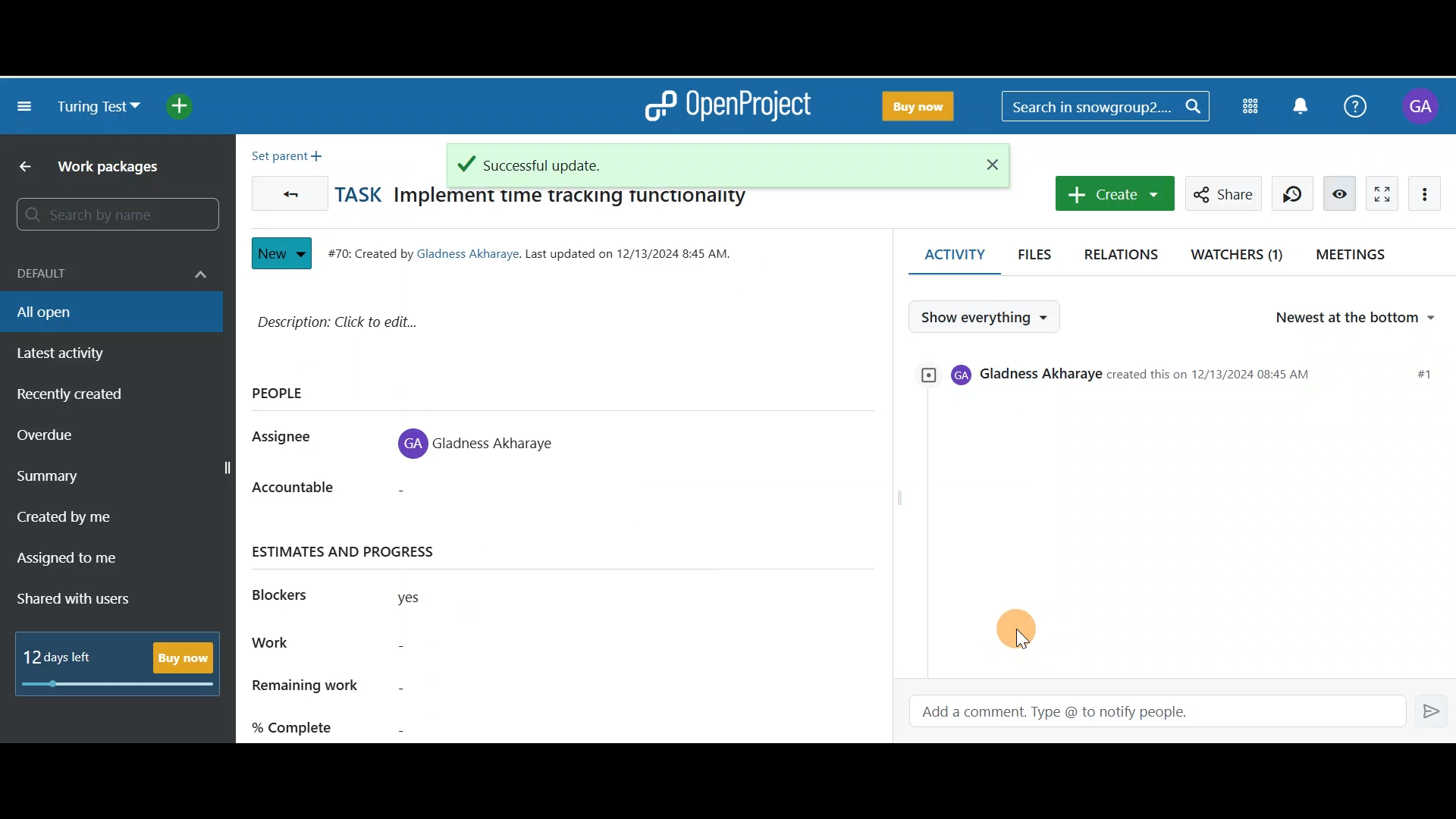 The image size is (1456, 819). I want to click on Overdue, so click(86, 440).